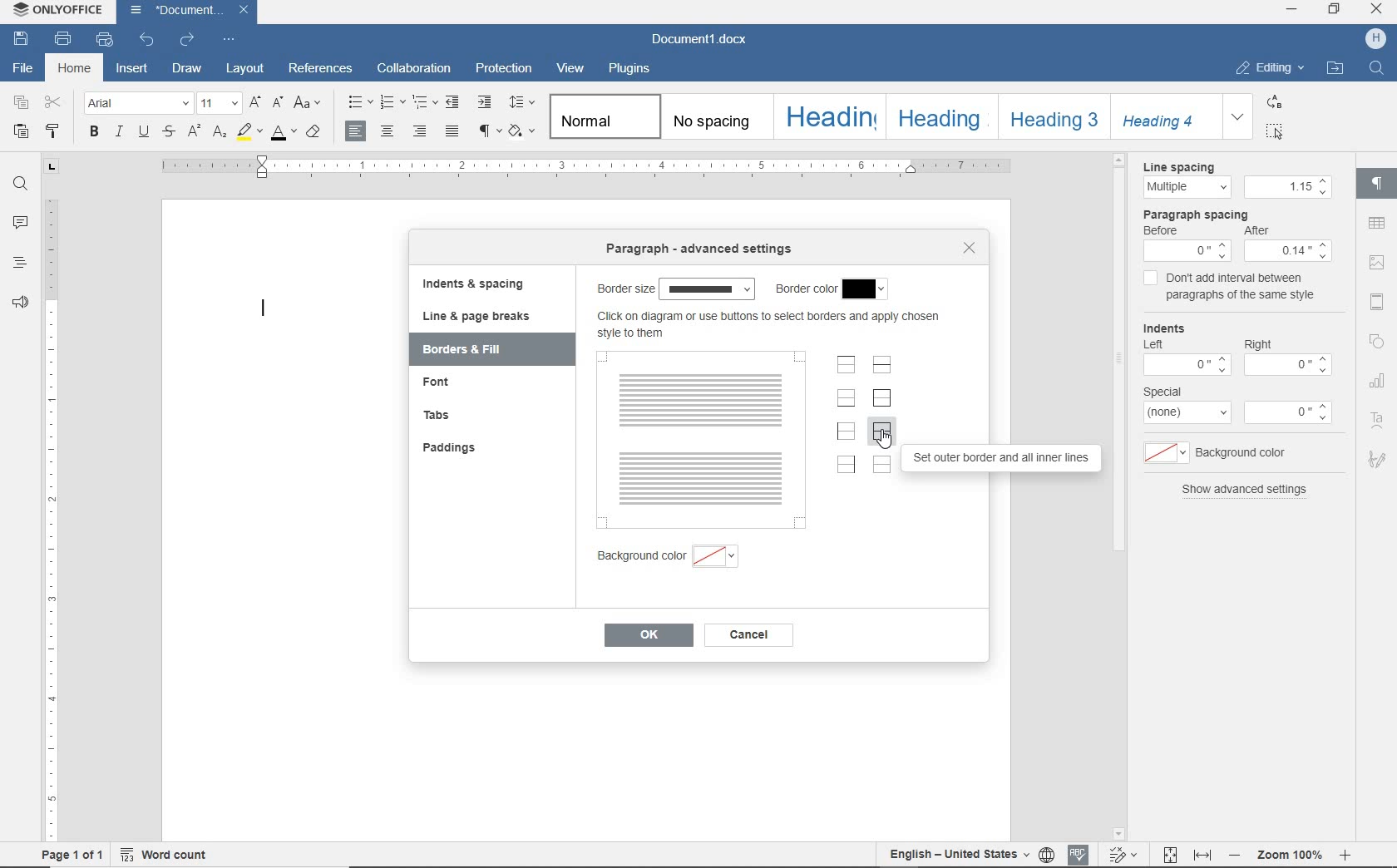  Describe the element at coordinates (321, 67) in the screenshot. I see `references` at that location.